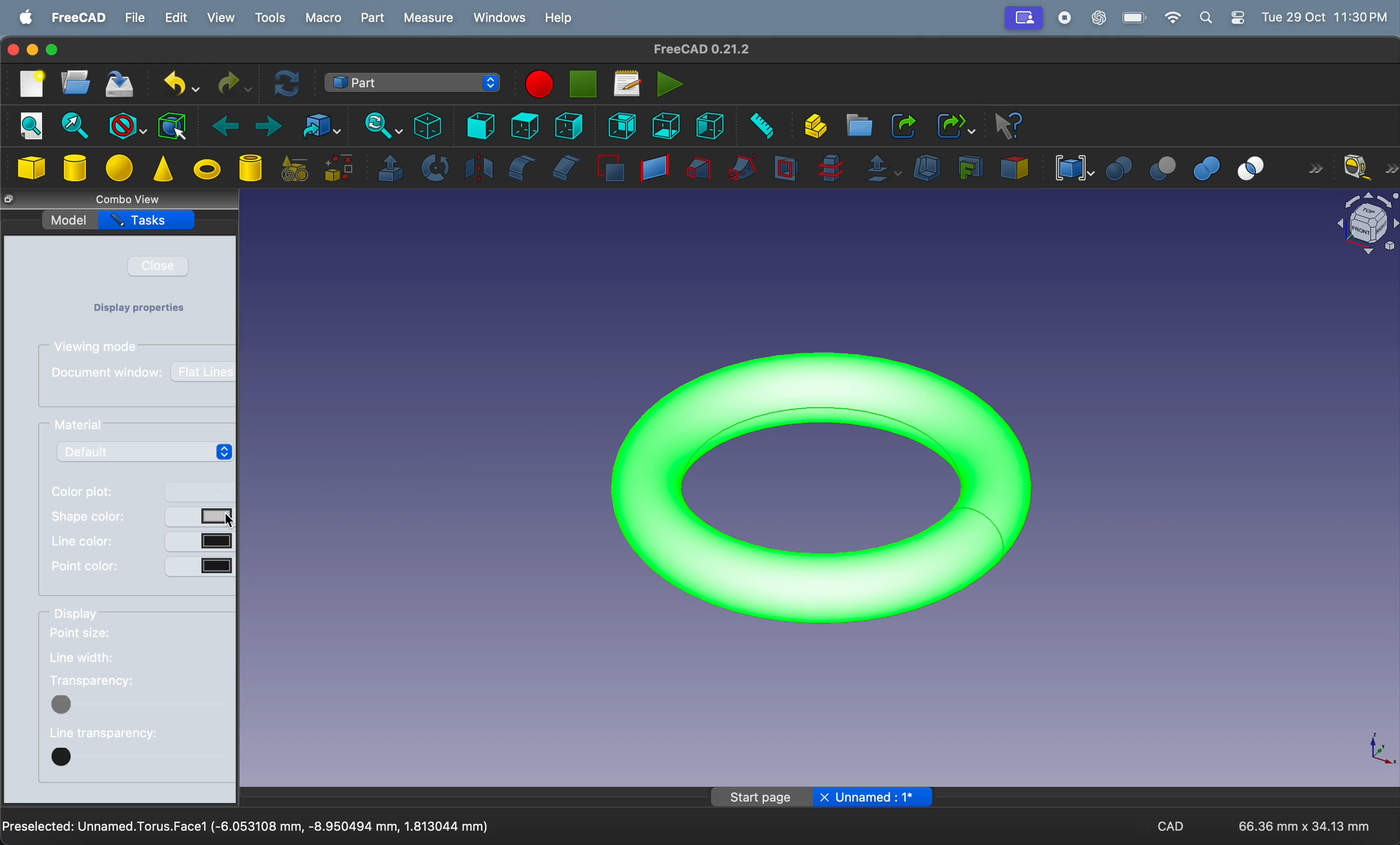 This screenshot has width=1400, height=845. Describe the element at coordinates (811, 126) in the screenshot. I see `create part` at that location.